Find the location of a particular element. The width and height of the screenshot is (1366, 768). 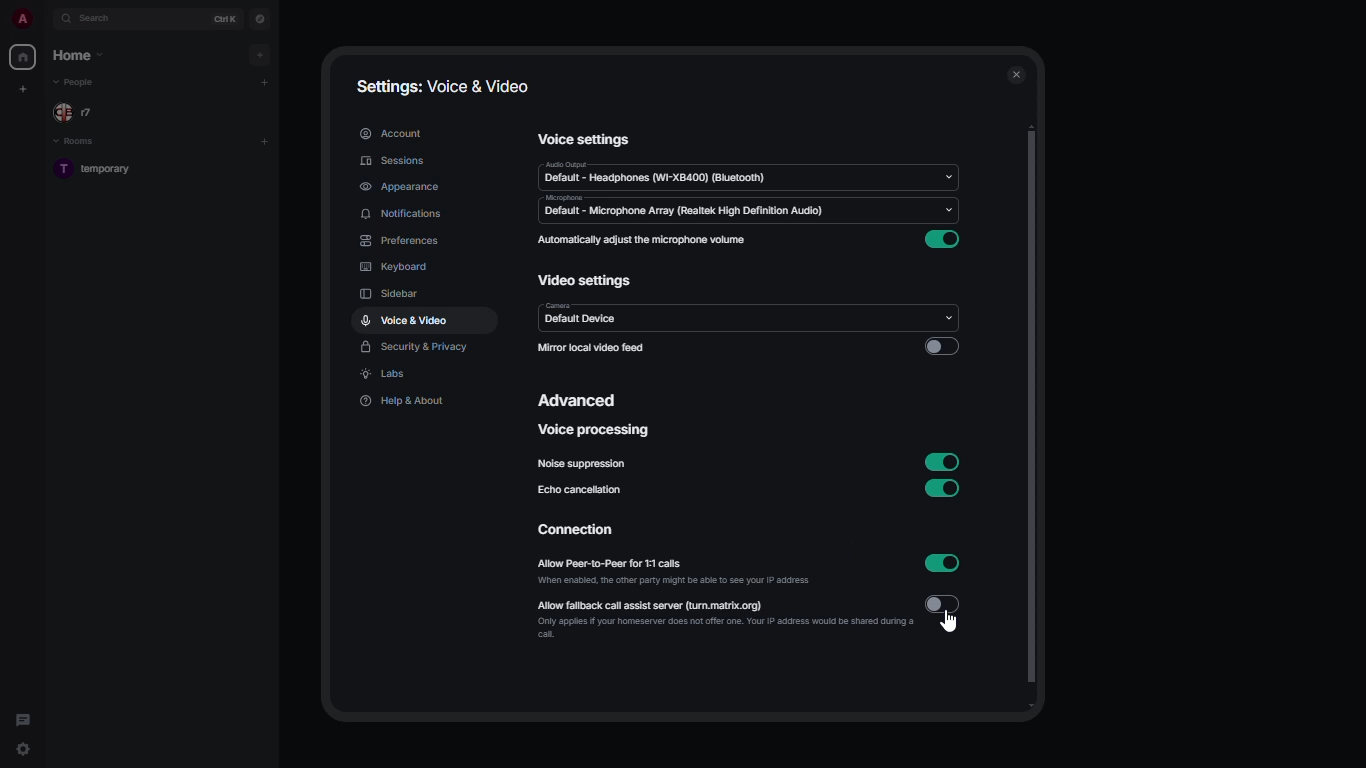

appearance is located at coordinates (398, 188).